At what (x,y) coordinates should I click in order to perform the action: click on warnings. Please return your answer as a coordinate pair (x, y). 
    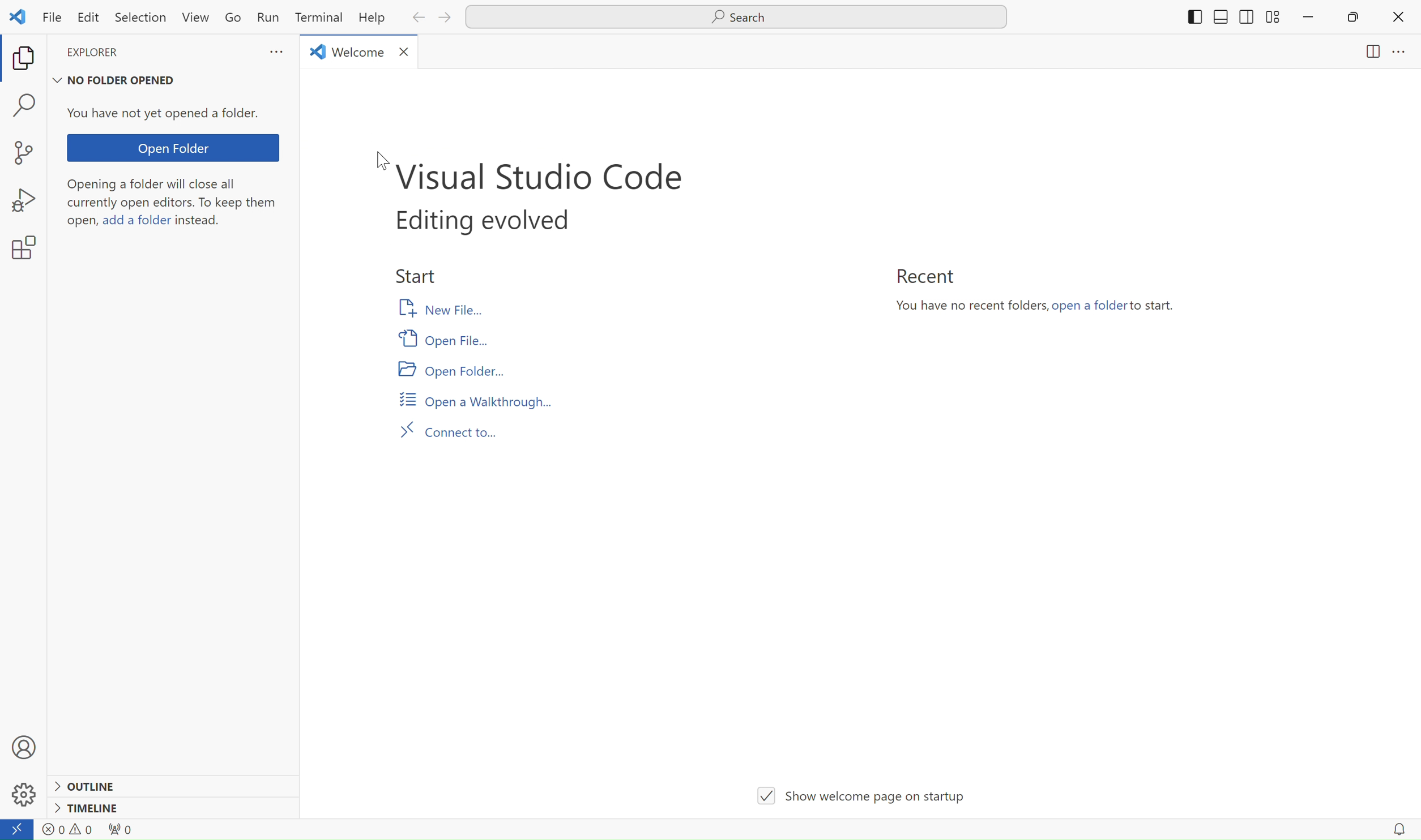
    Looking at the image, I should click on (92, 830).